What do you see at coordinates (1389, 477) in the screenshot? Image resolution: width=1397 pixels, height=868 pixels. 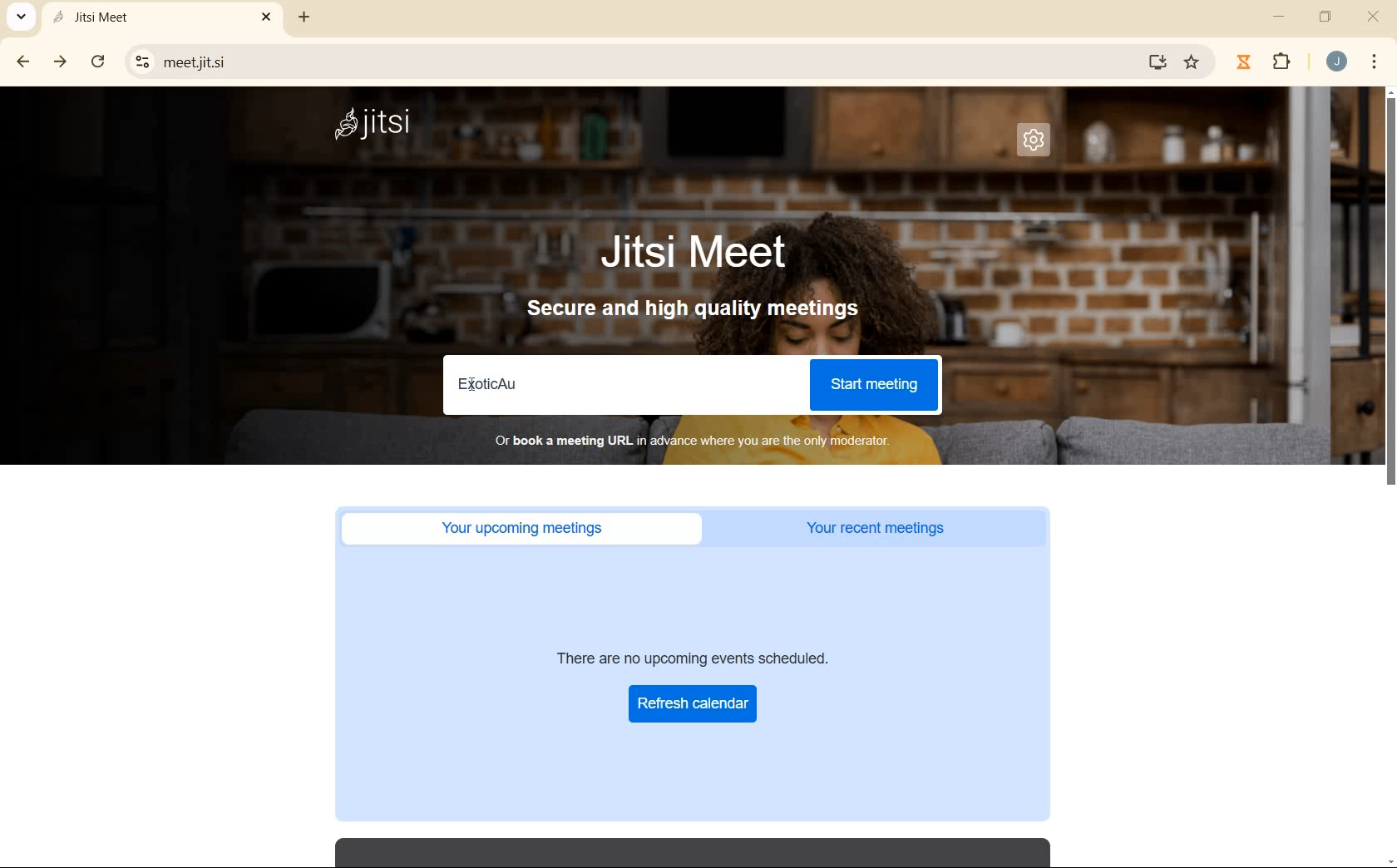 I see `scrollbar` at bounding box center [1389, 477].